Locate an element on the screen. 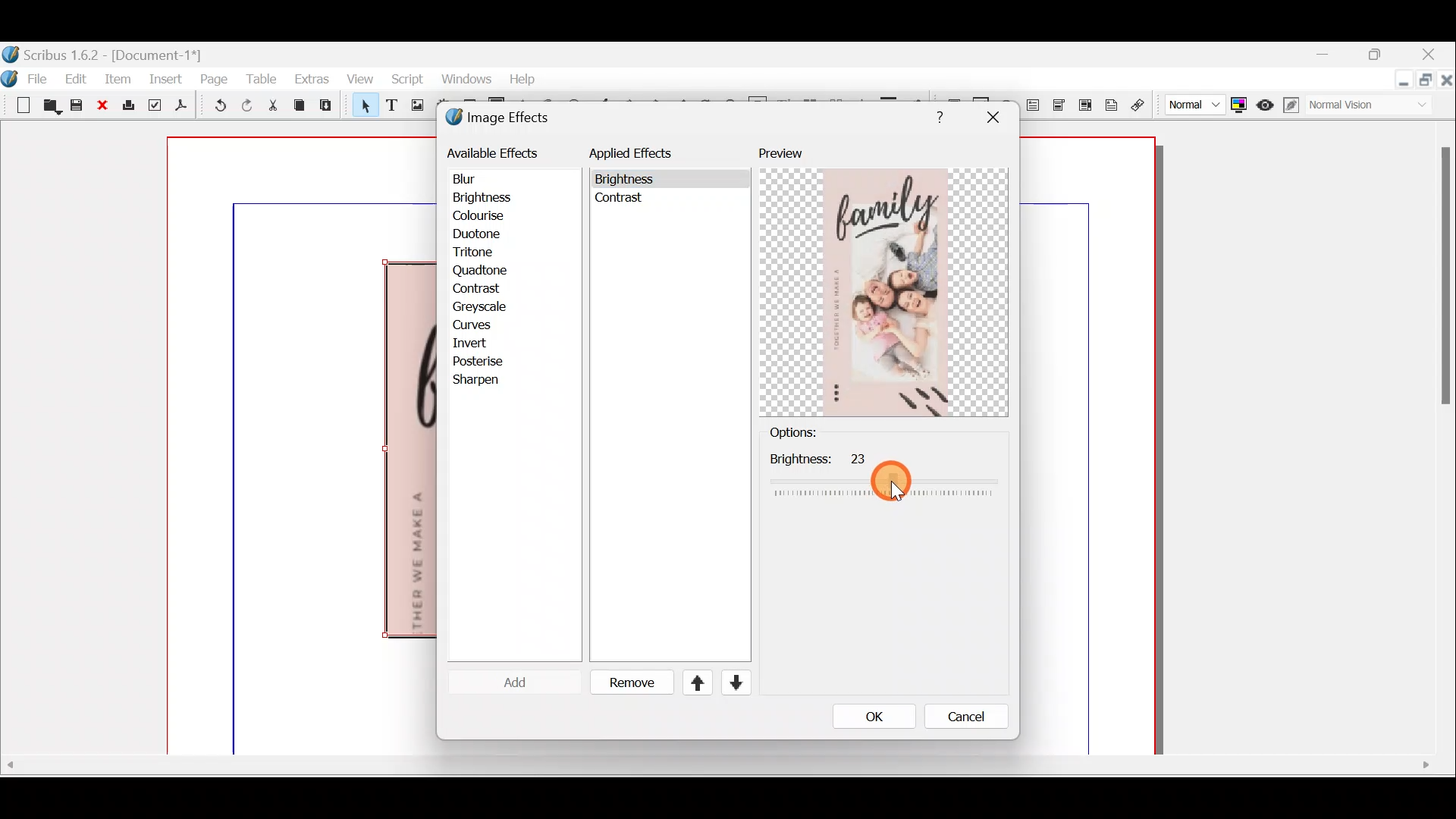 Image resolution: width=1456 pixels, height=819 pixels. Preflight verifier is located at coordinates (153, 108).